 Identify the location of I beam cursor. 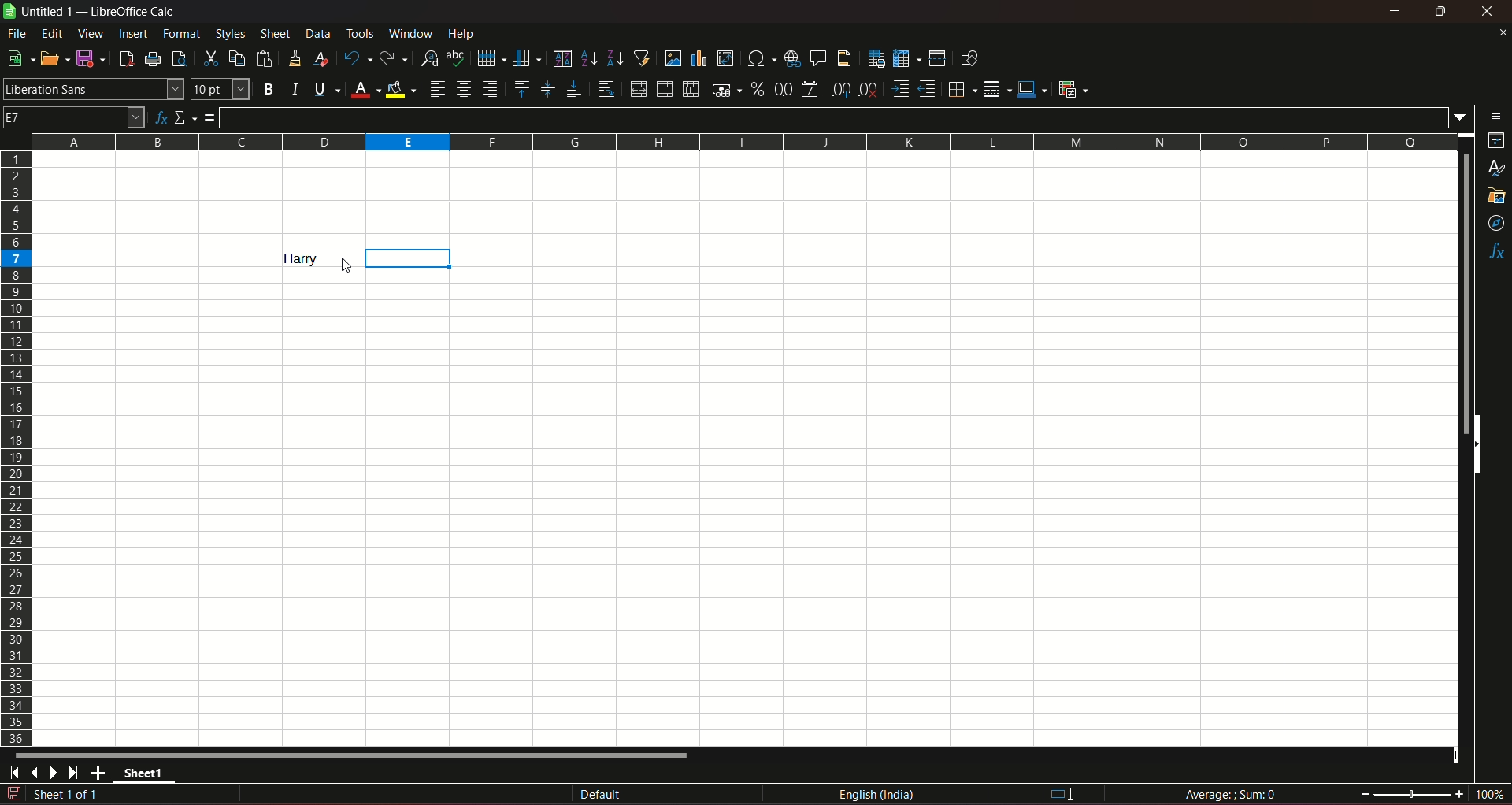
(1063, 795).